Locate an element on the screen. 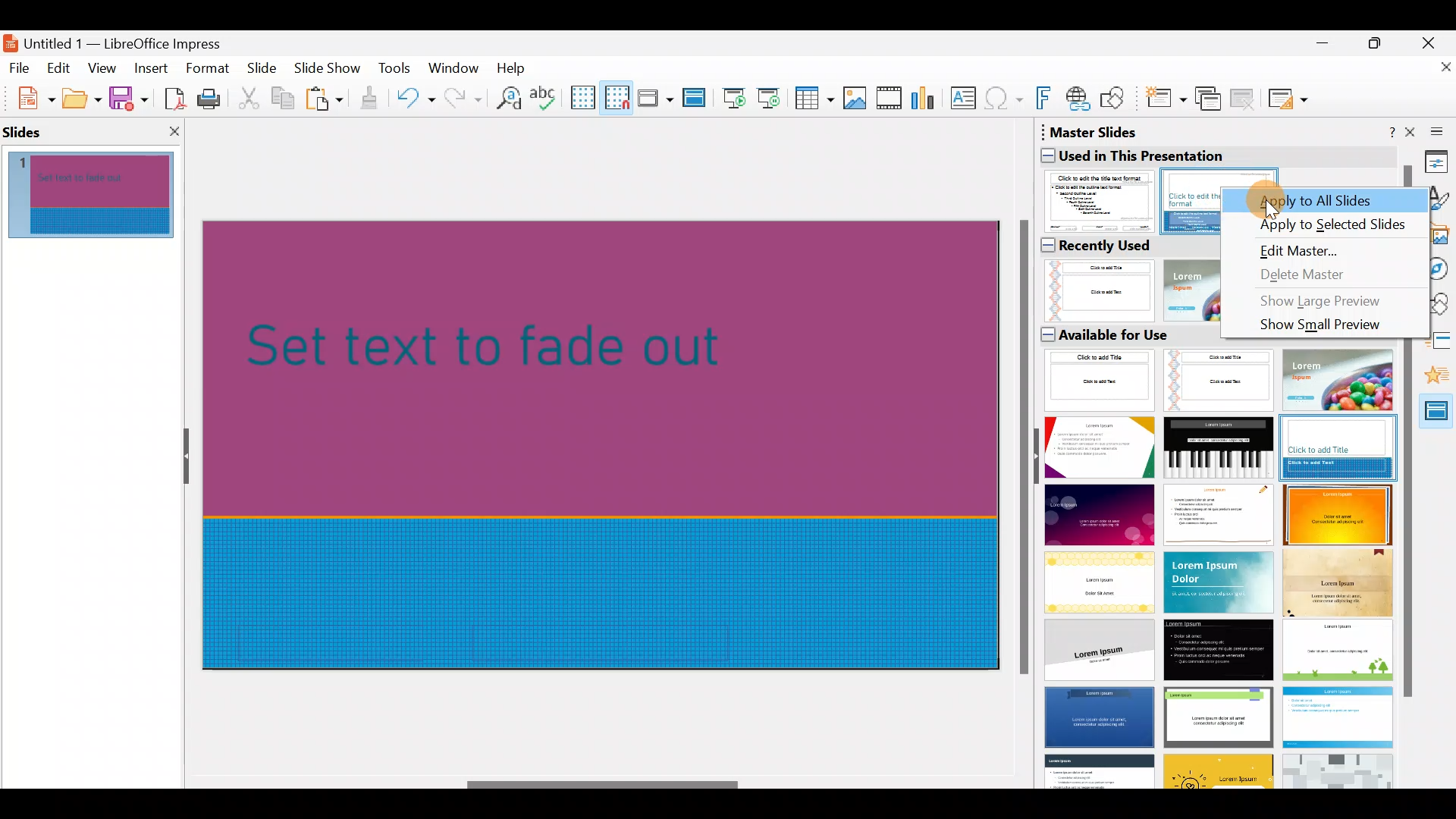  Insert hyperlink is located at coordinates (1079, 98).